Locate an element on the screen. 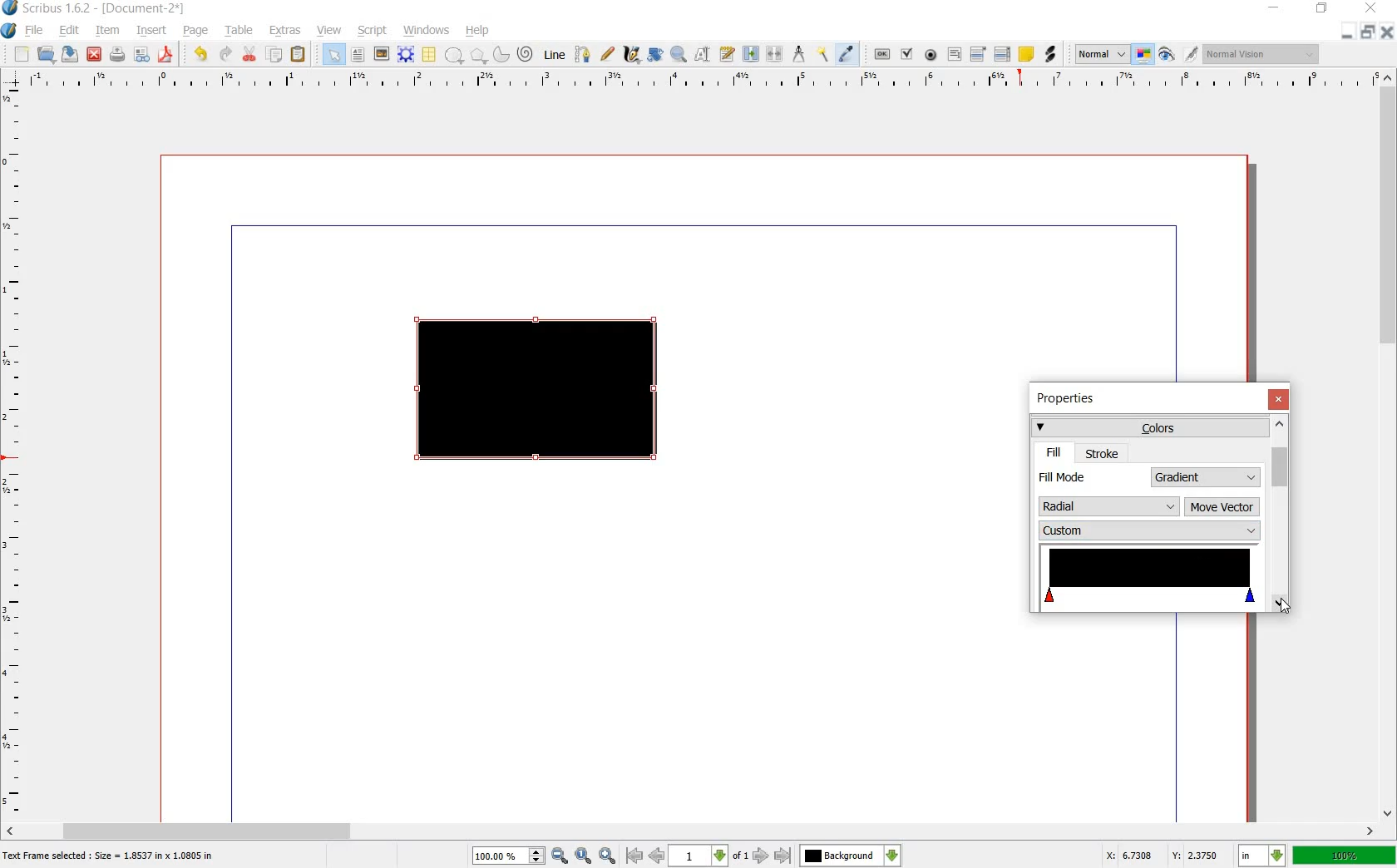 This screenshot has width=1397, height=868. close is located at coordinates (1374, 7).